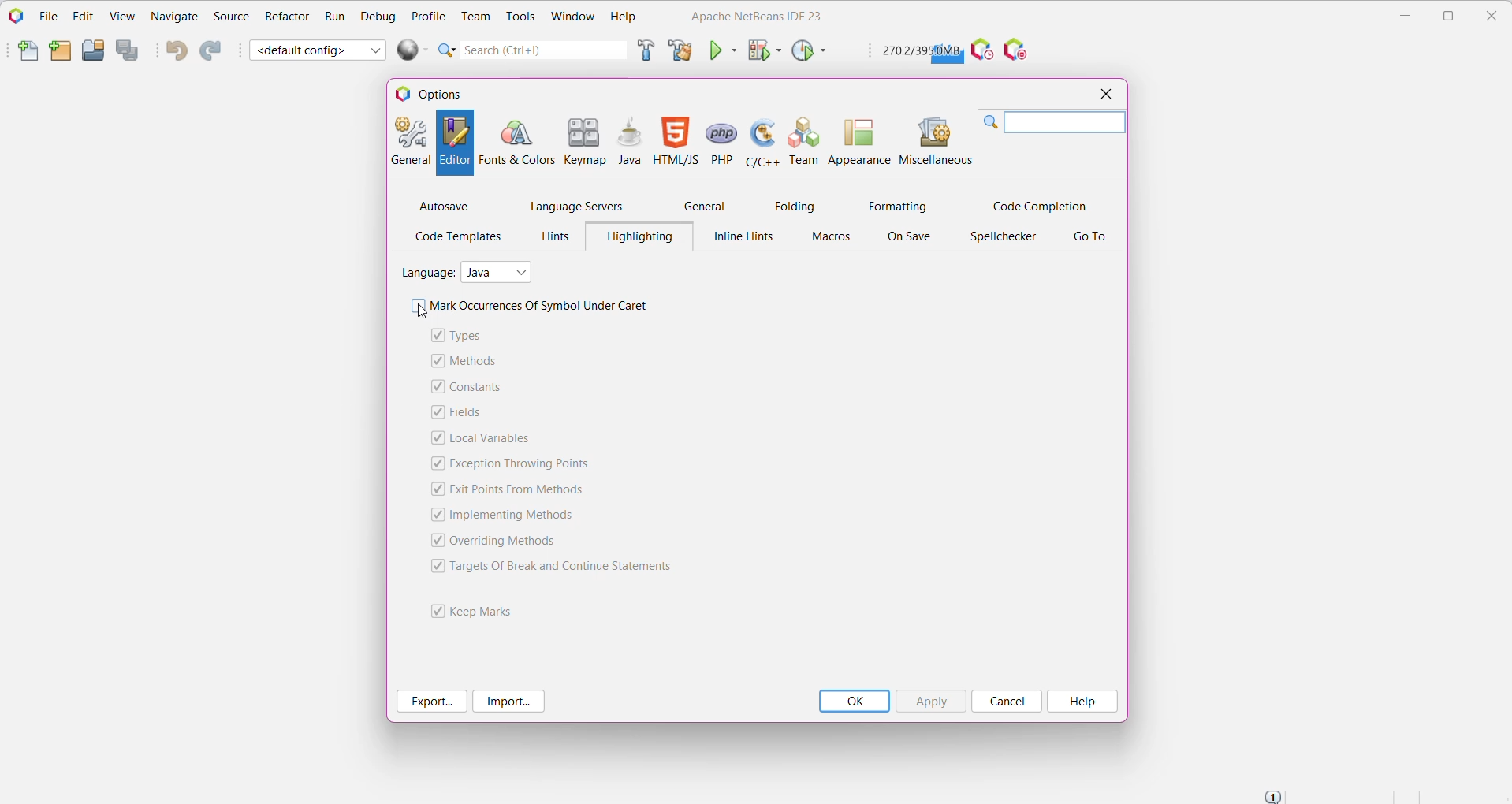  I want to click on Clean and Build Project, so click(680, 50).